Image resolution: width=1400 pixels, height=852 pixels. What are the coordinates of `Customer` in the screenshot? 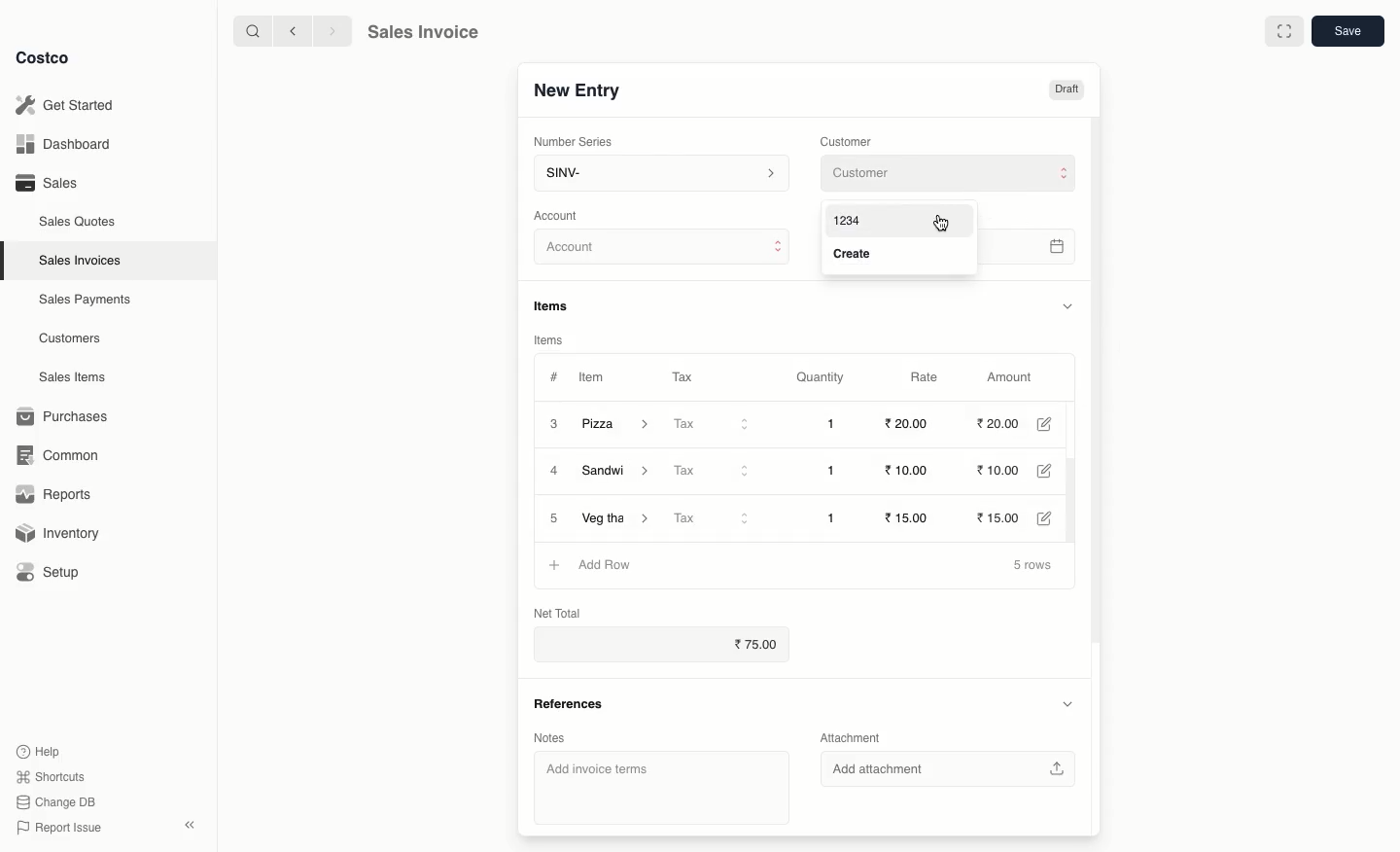 It's located at (849, 140).